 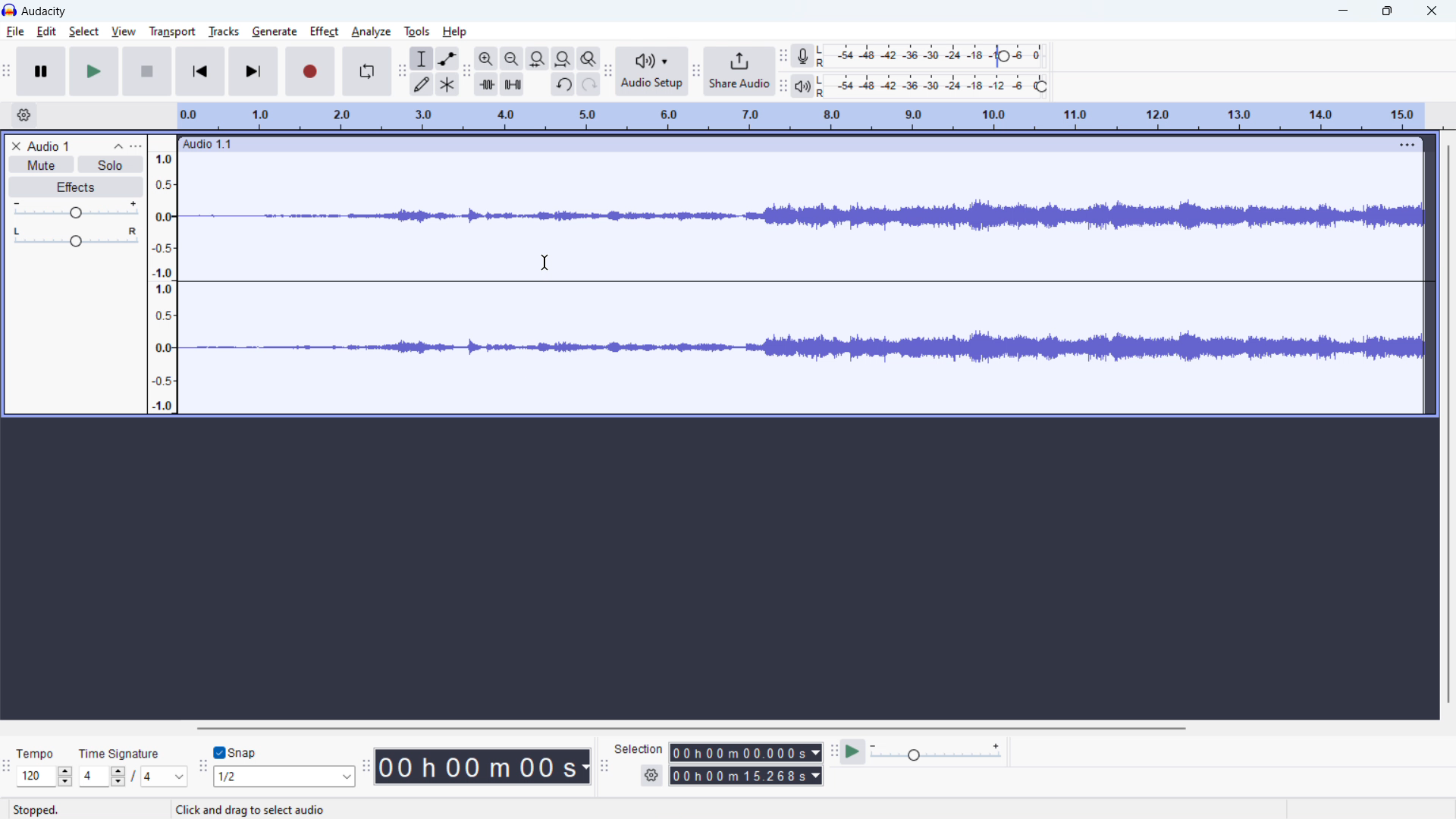 I want to click on title, so click(x=47, y=146).